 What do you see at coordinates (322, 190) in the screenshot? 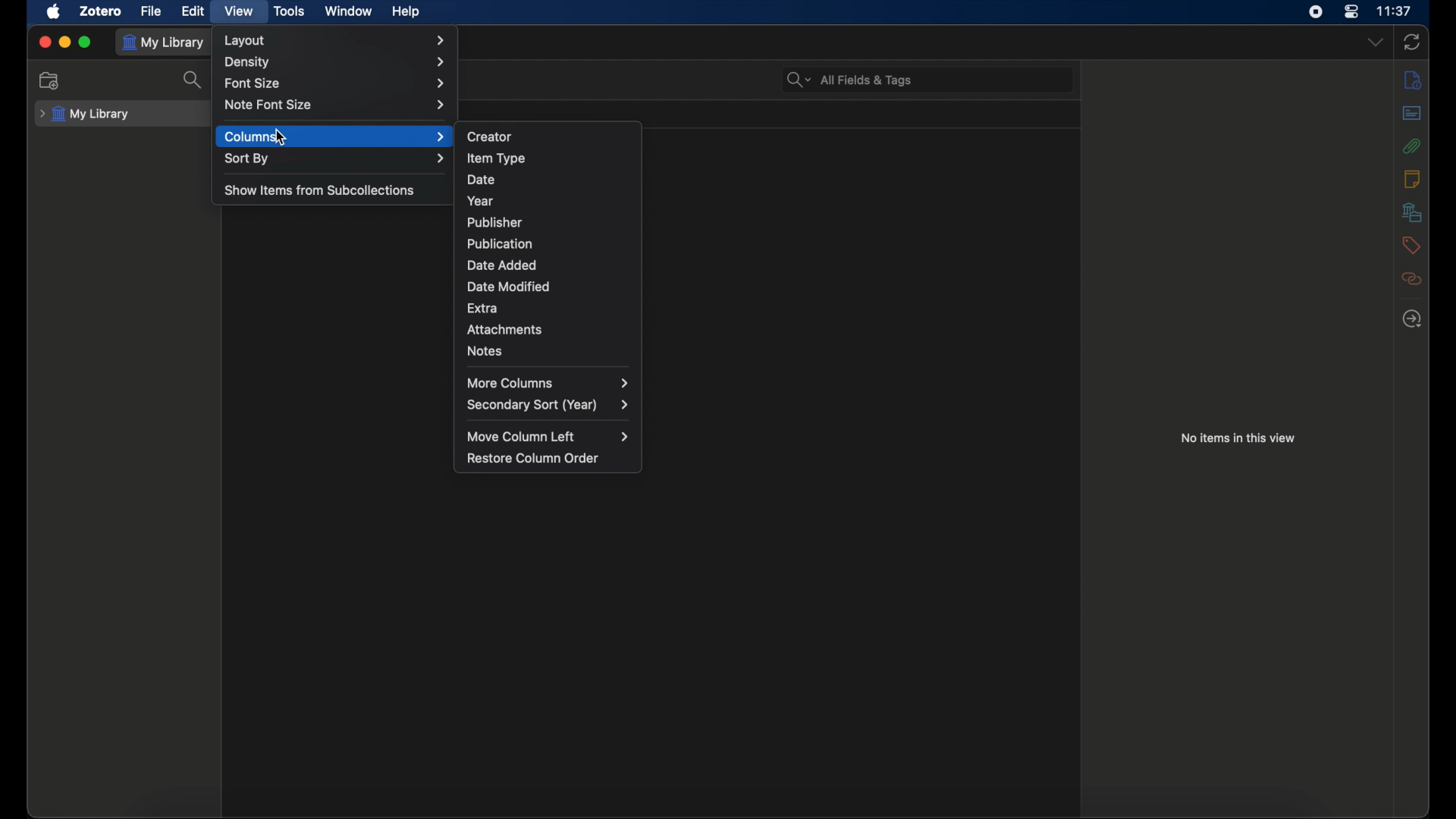
I see `show items from subcollections` at bounding box center [322, 190].